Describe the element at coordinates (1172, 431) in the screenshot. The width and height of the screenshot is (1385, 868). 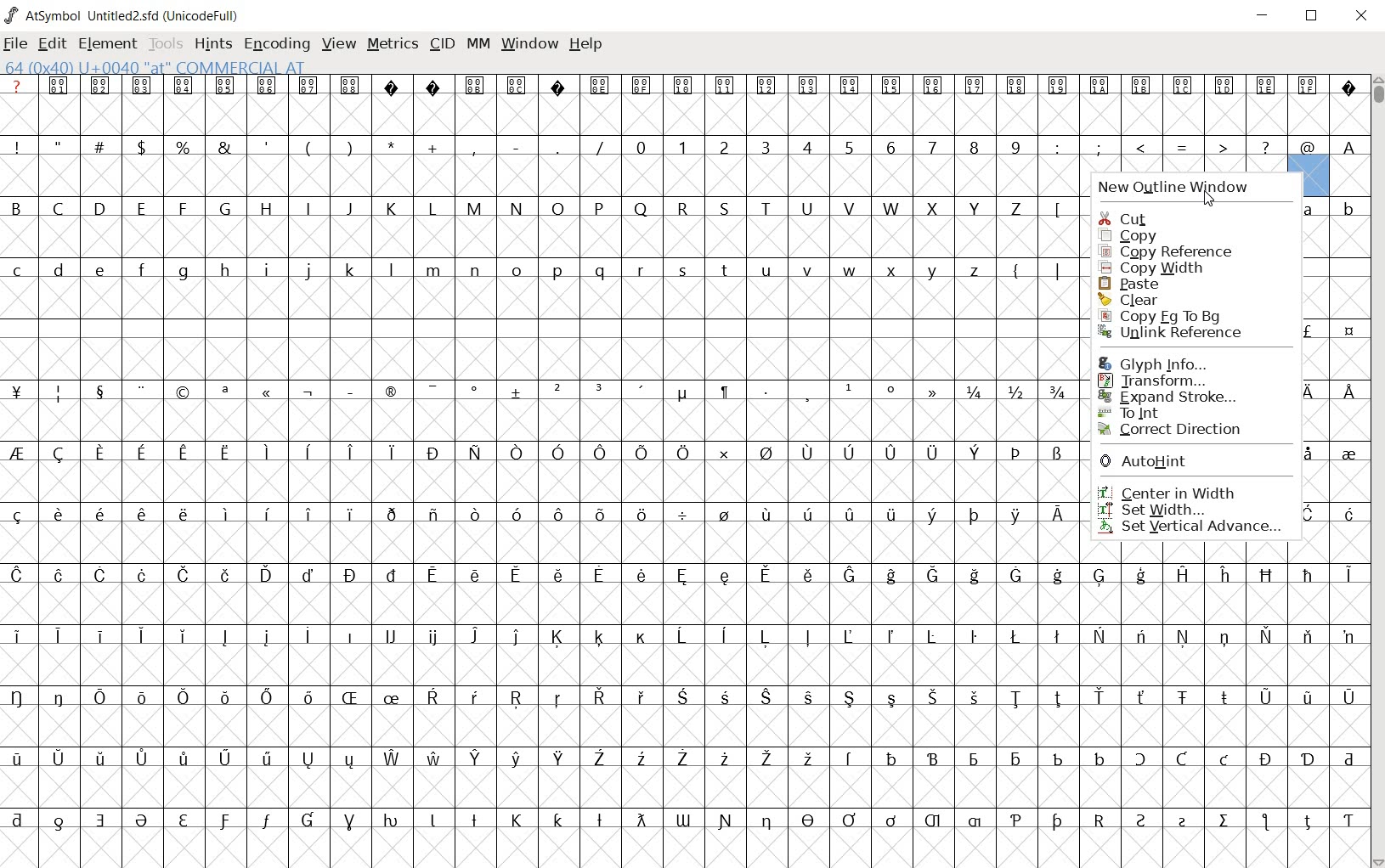
I see `correct direction` at that location.